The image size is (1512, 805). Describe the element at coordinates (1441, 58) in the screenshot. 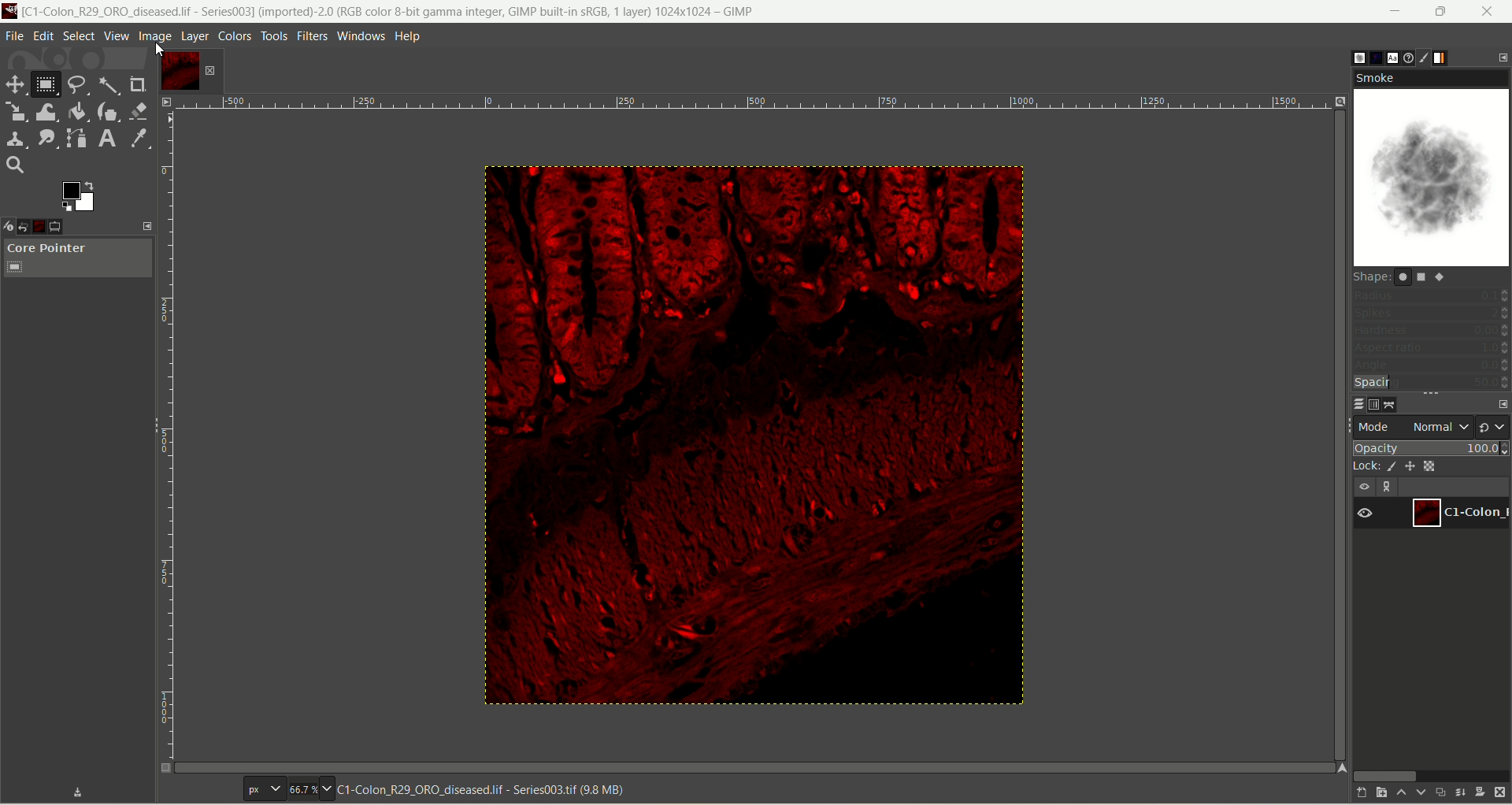

I see `gradient` at that location.